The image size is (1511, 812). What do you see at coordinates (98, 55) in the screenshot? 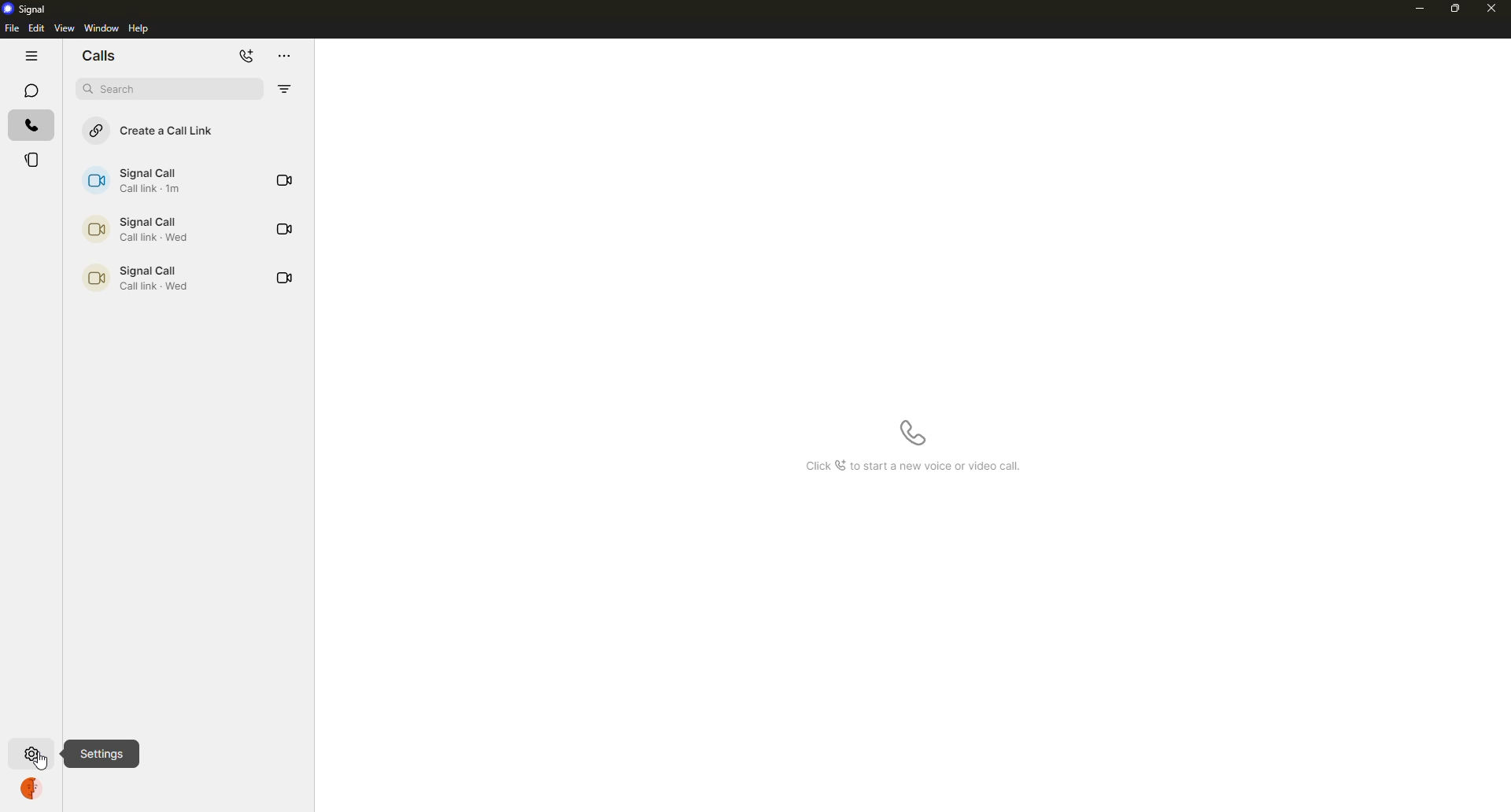
I see `chats` at bounding box center [98, 55].